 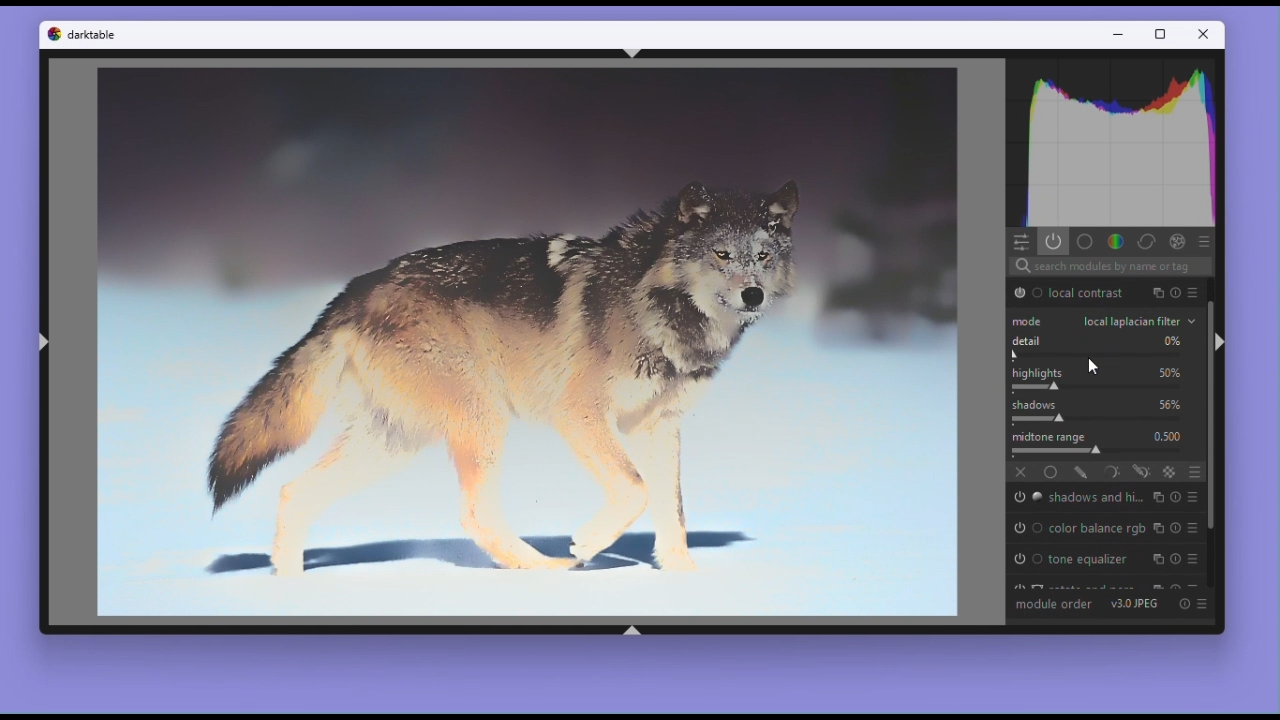 I want to click on shift+ctrl+r, so click(x=1225, y=343).